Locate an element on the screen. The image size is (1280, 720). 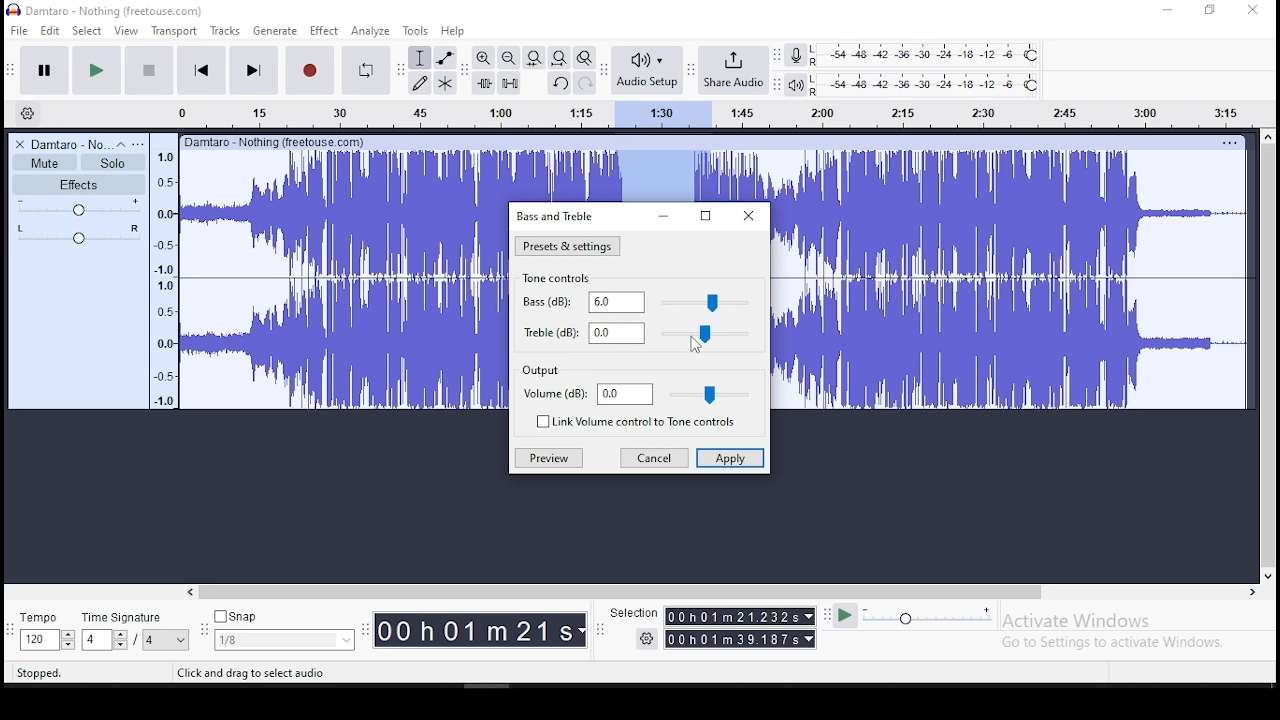
volume is located at coordinates (80, 207).